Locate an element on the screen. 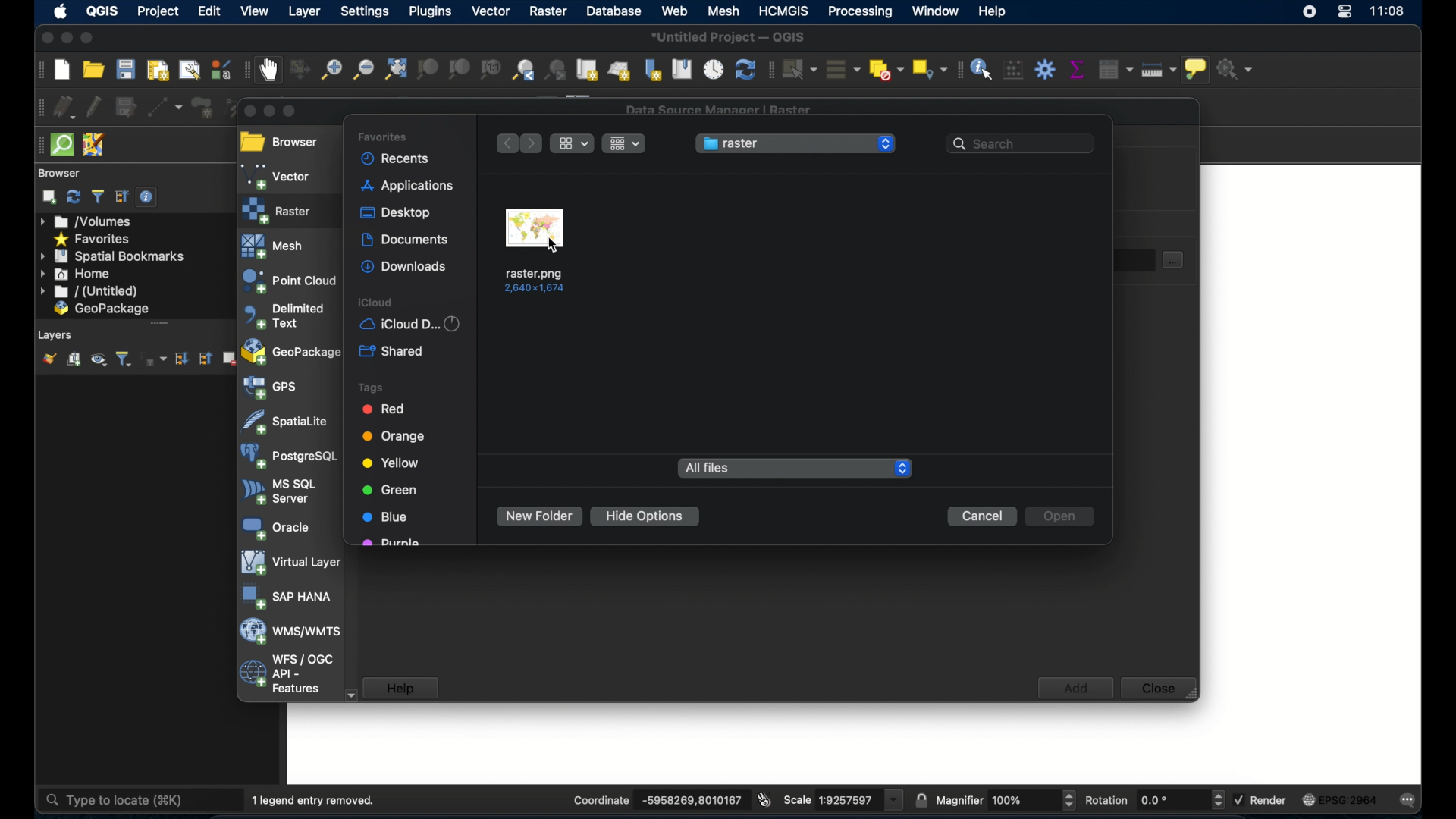 The width and height of the screenshot is (1456, 819). processing is located at coordinates (858, 11).